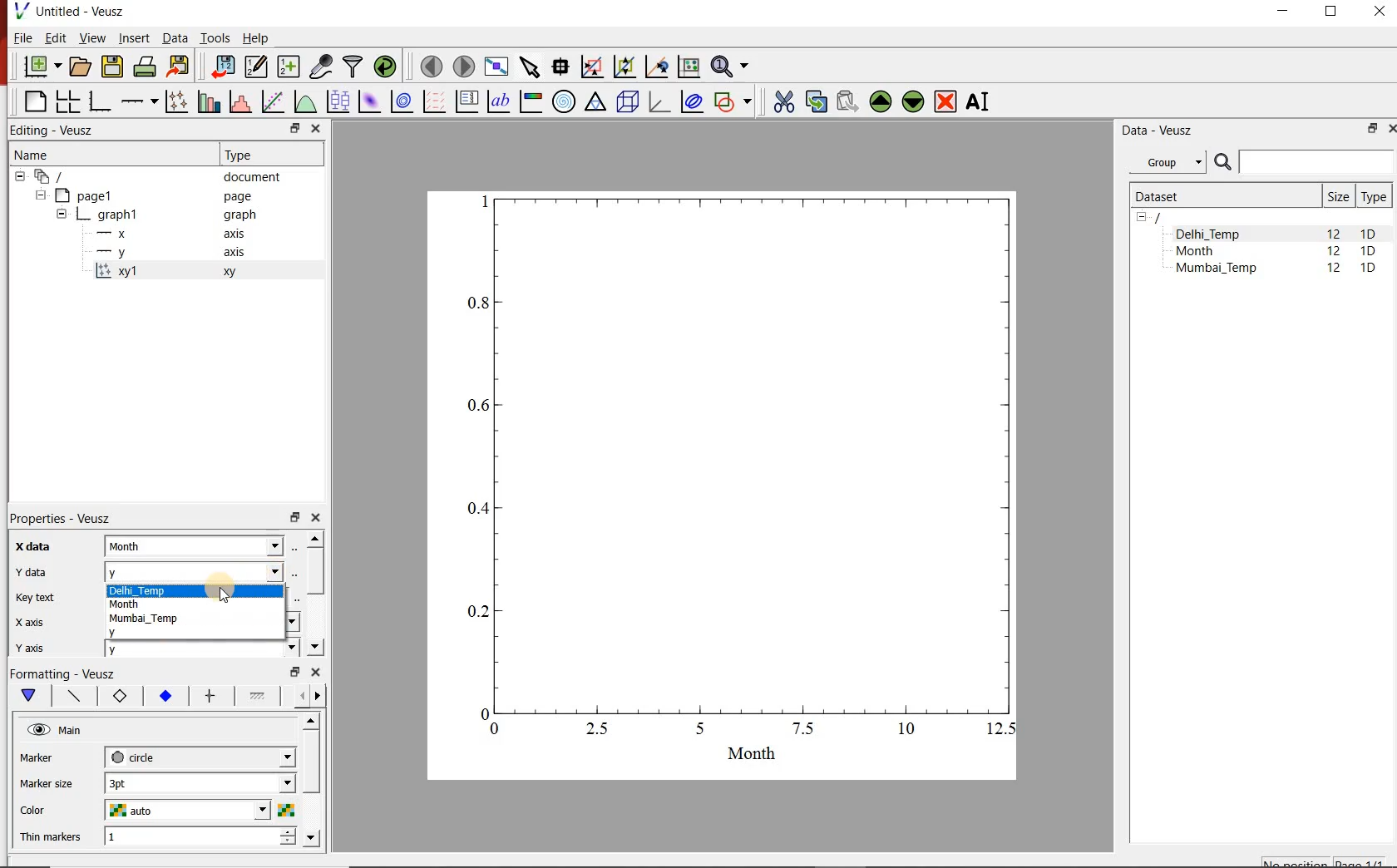 The image size is (1397, 868). Describe the element at coordinates (624, 67) in the screenshot. I see `click to zoom out of graph axes` at that location.